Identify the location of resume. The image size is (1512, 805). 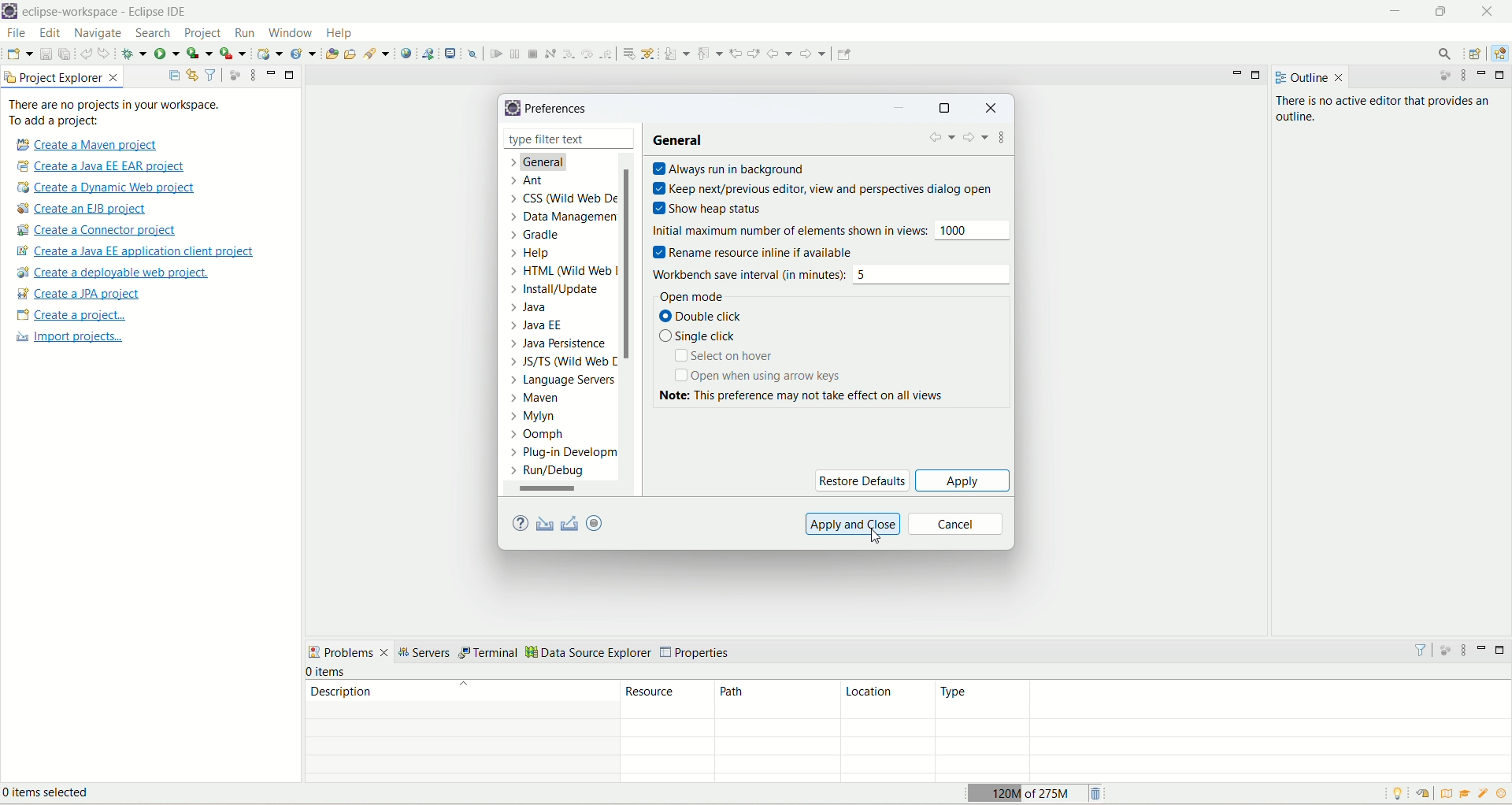
(495, 54).